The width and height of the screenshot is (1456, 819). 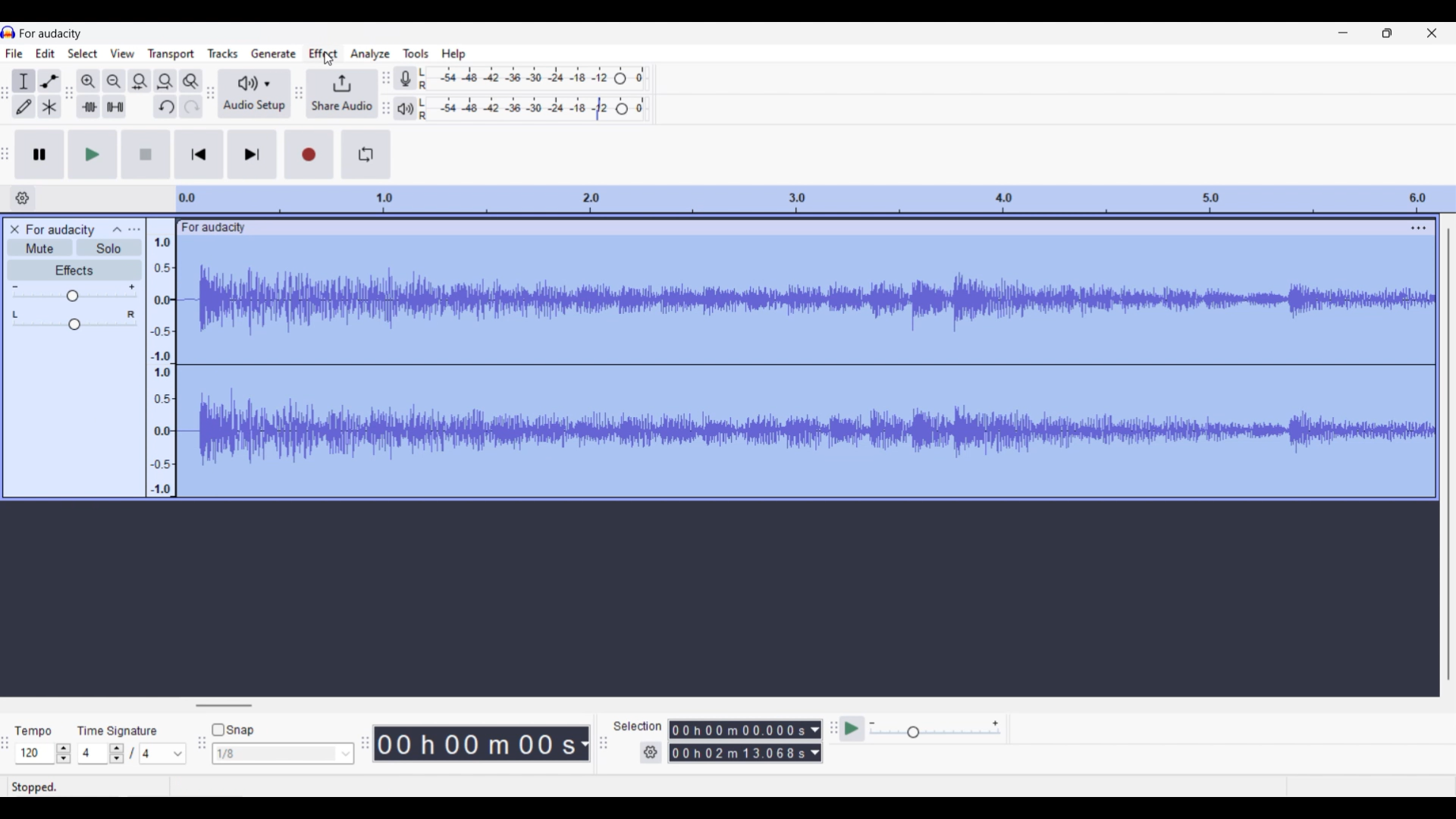 What do you see at coordinates (39, 247) in the screenshot?
I see `Mute` at bounding box center [39, 247].